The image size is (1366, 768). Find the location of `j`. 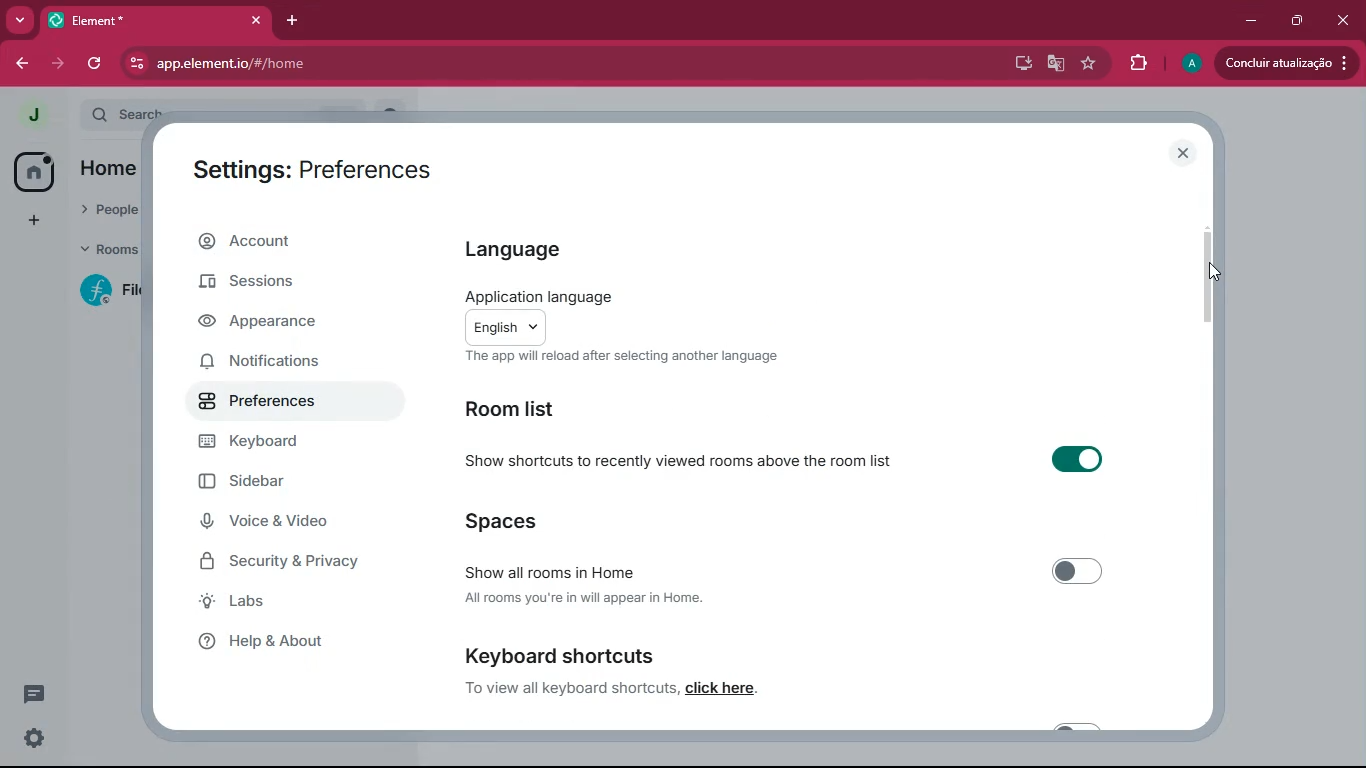

j is located at coordinates (30, 117).